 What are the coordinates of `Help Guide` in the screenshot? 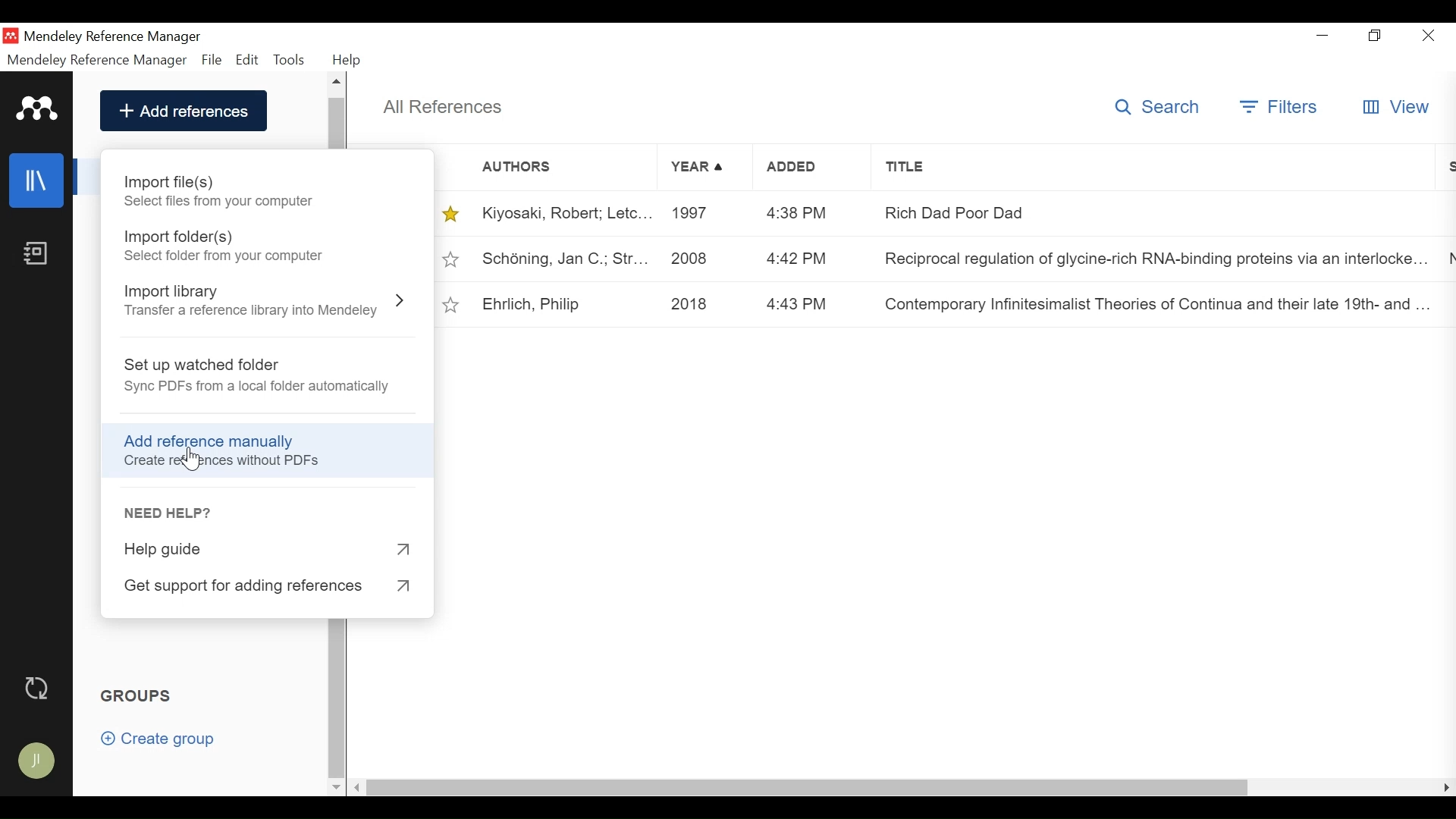 It's located at (272, 551).